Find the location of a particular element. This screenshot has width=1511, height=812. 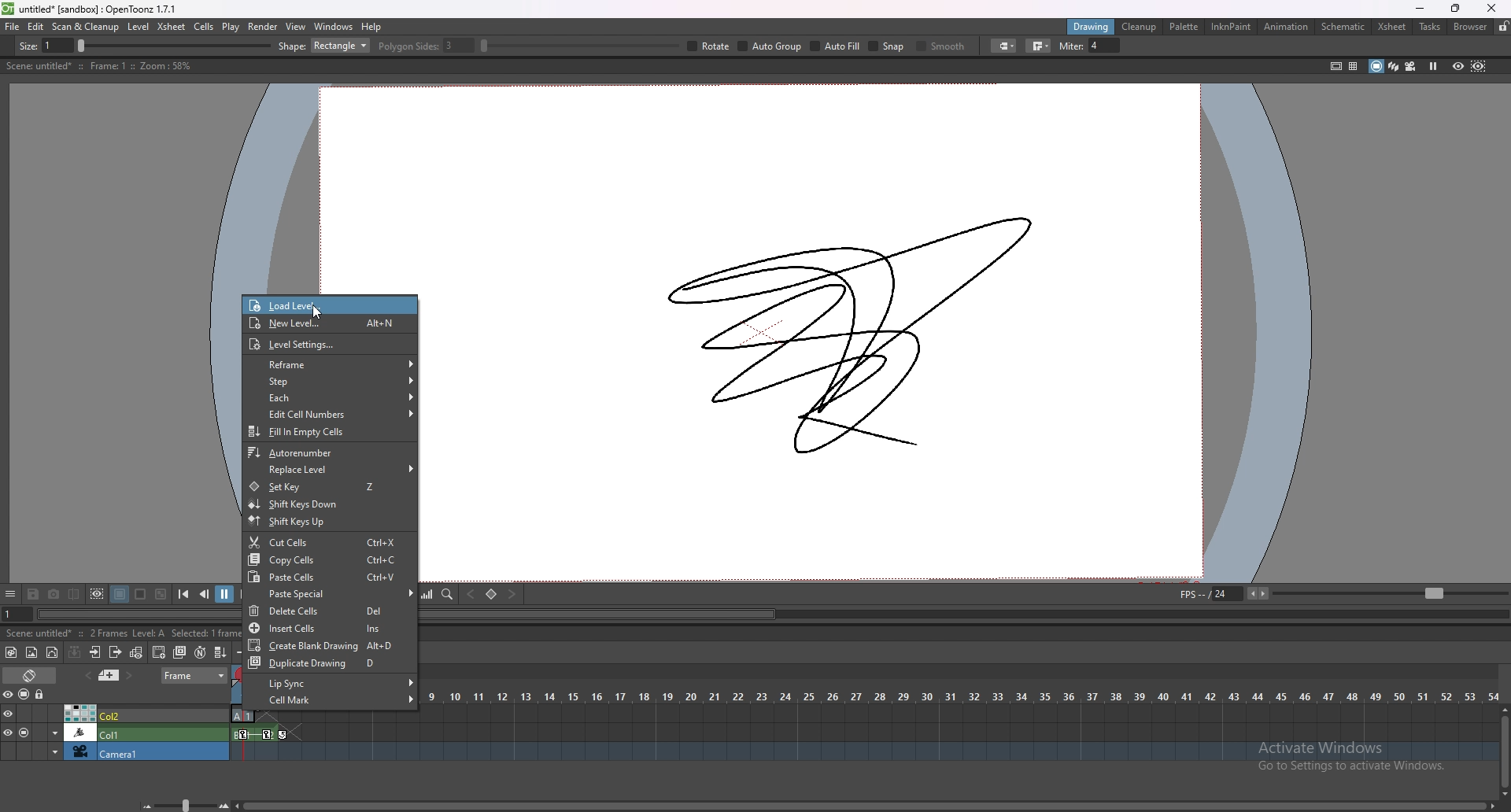

auto input cell number is located at coordinates (199, 652).